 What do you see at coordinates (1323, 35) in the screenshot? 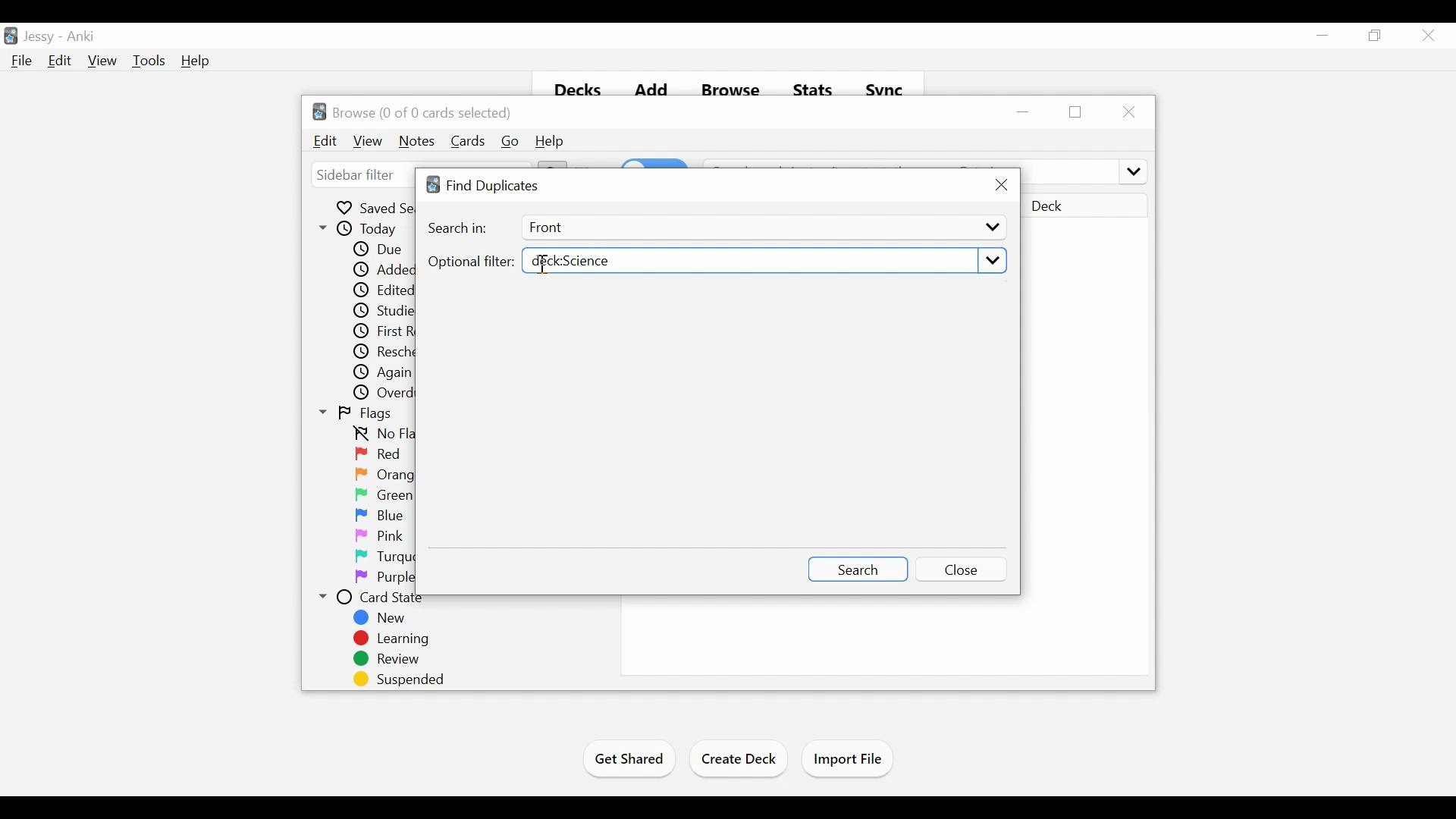
I see `minimize` at bounding box center [1323, 35].